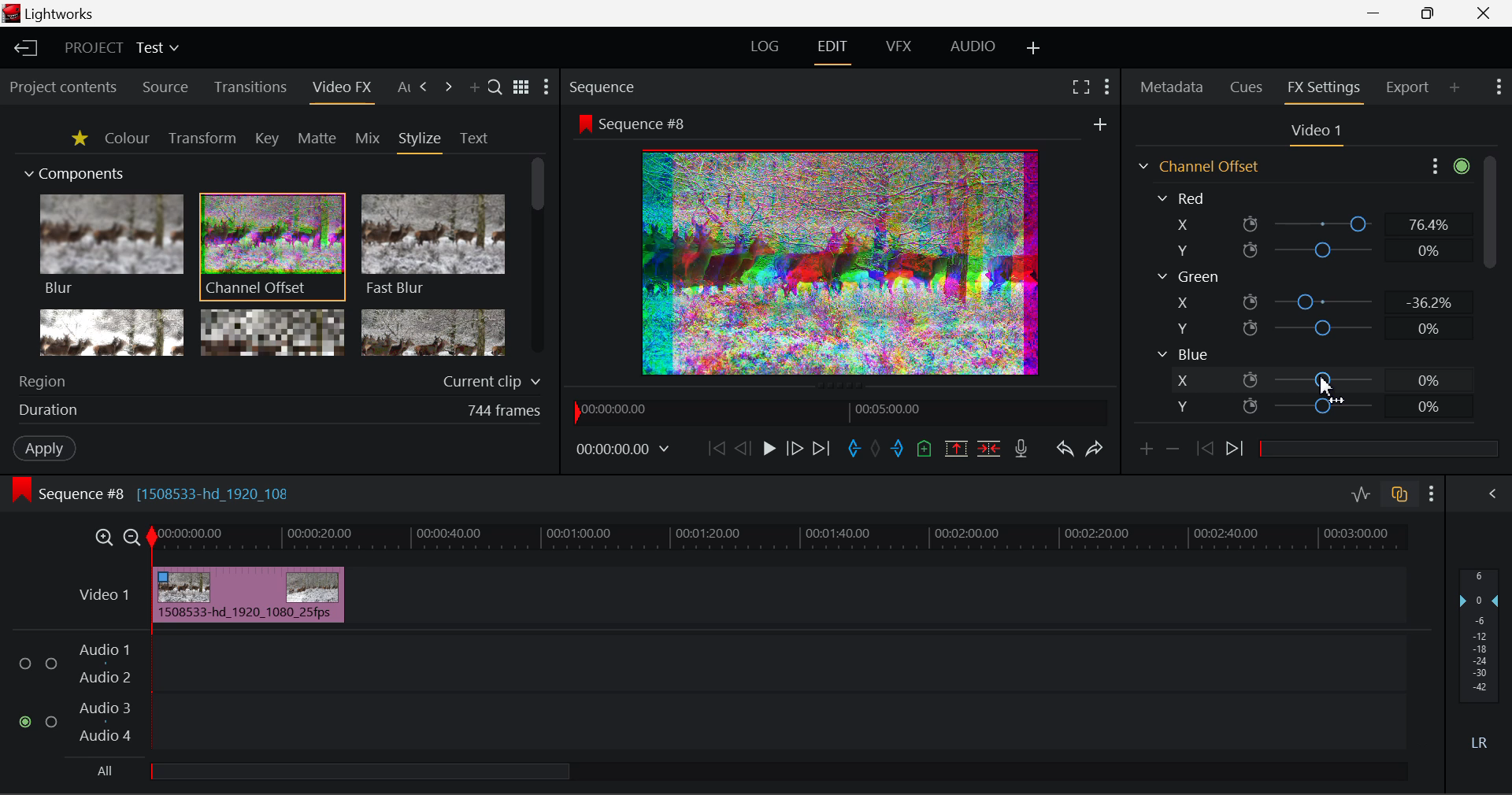 This screenshot has width=1512, height=795. Describe the element at coordinates (1447, 167) in the screenshot. I see `Show Settings` at that location.